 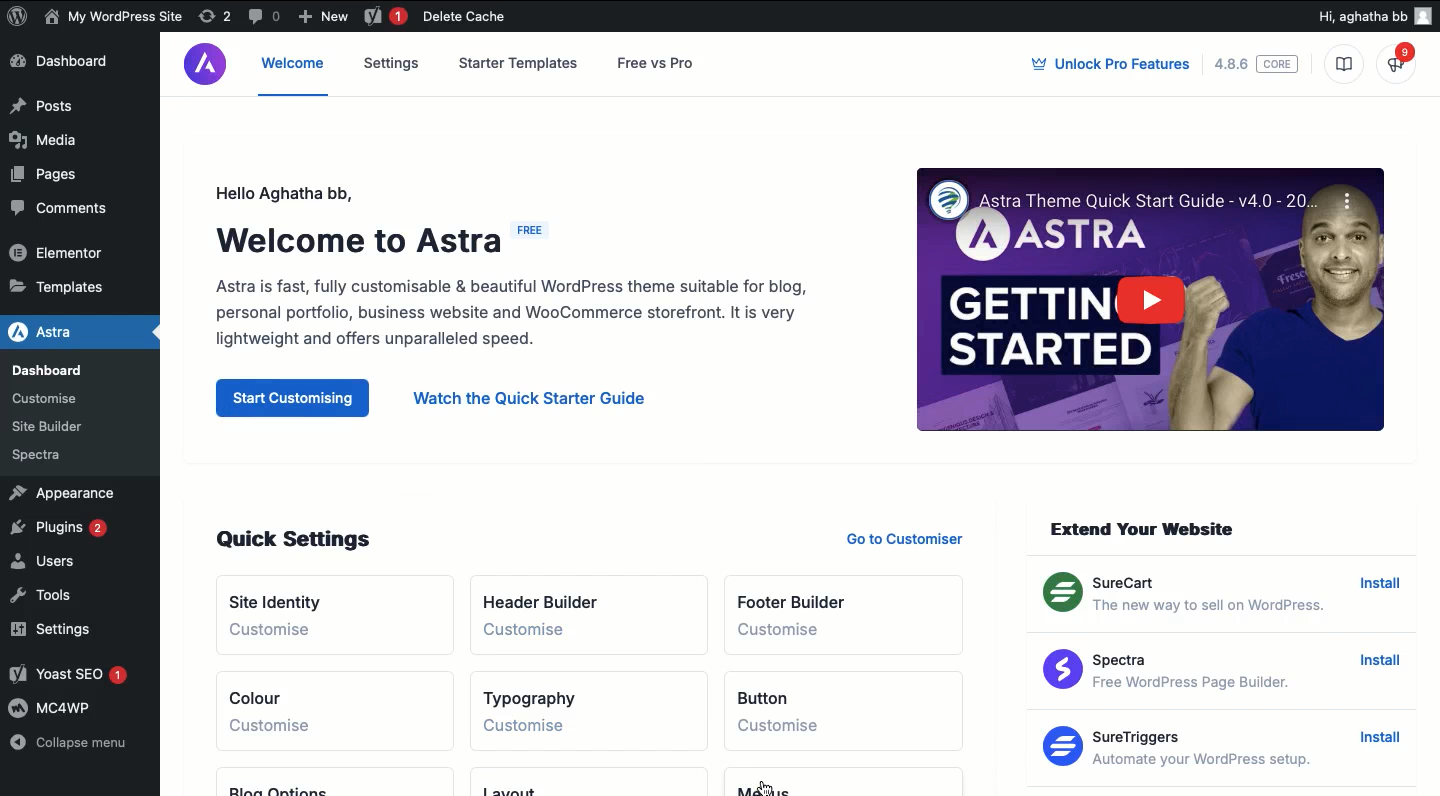 What do you see at coordinates (114, 18) in the screenshot?
I see `User` at bounding box center [114, 18].